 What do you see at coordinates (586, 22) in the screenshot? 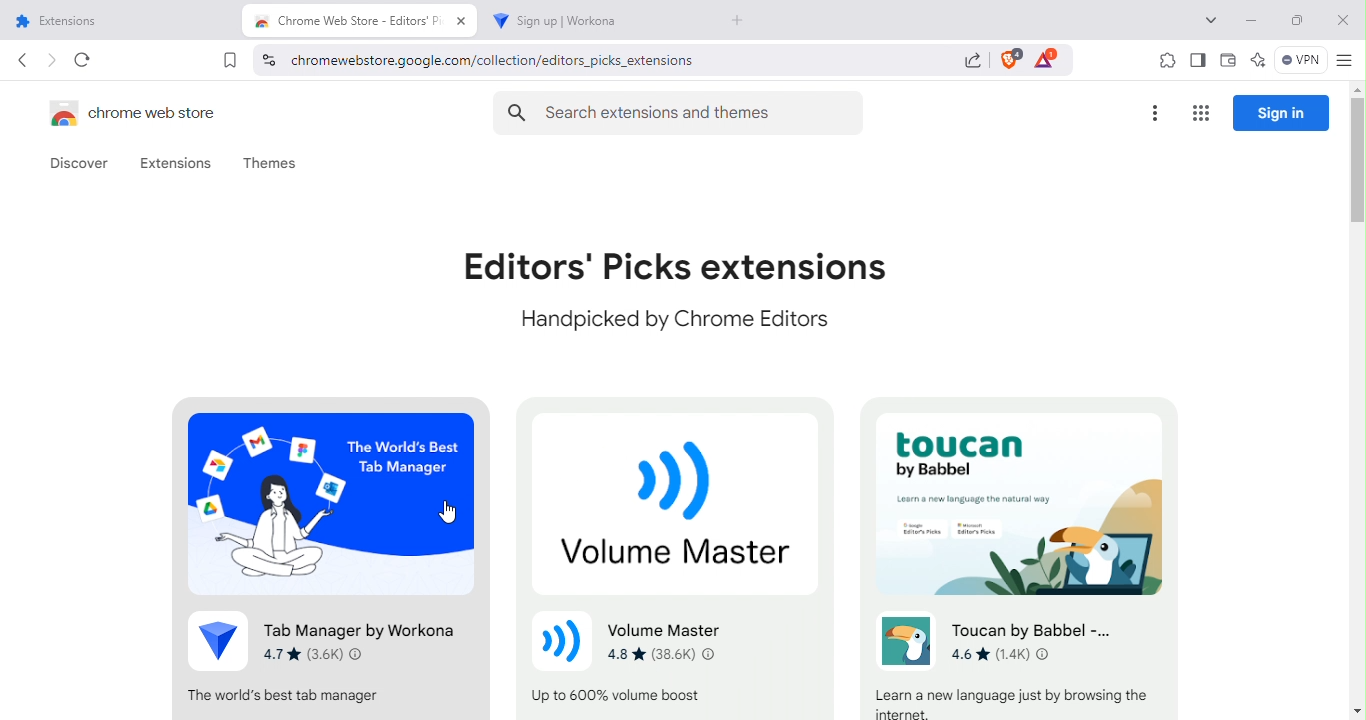
I see `Workona sign up page` at bounding box center [586, 22].